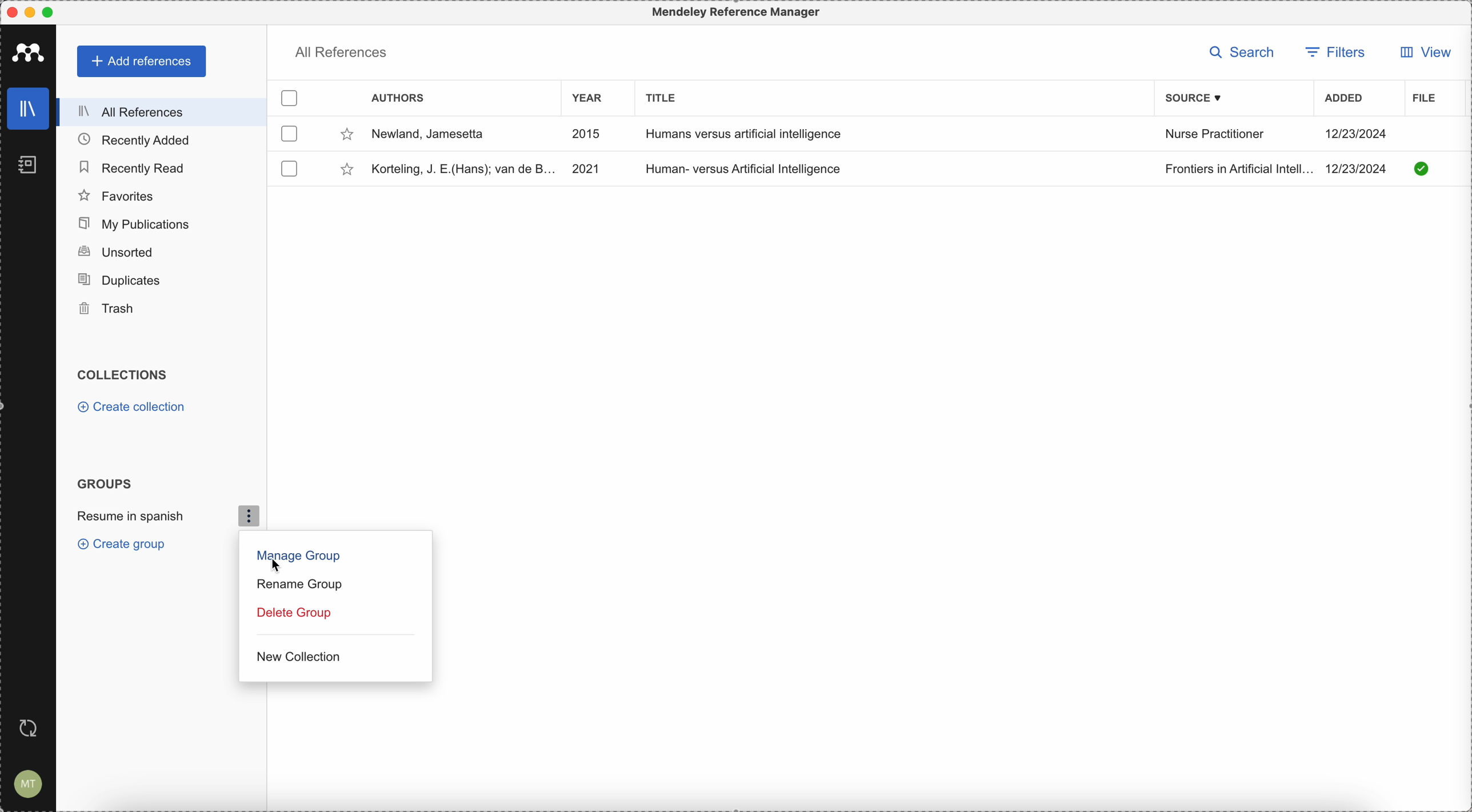 This screenshot has height=812, width=1472. Describe the element at coordinates (1195, 98) in the screenshot. I see `source` at that location.